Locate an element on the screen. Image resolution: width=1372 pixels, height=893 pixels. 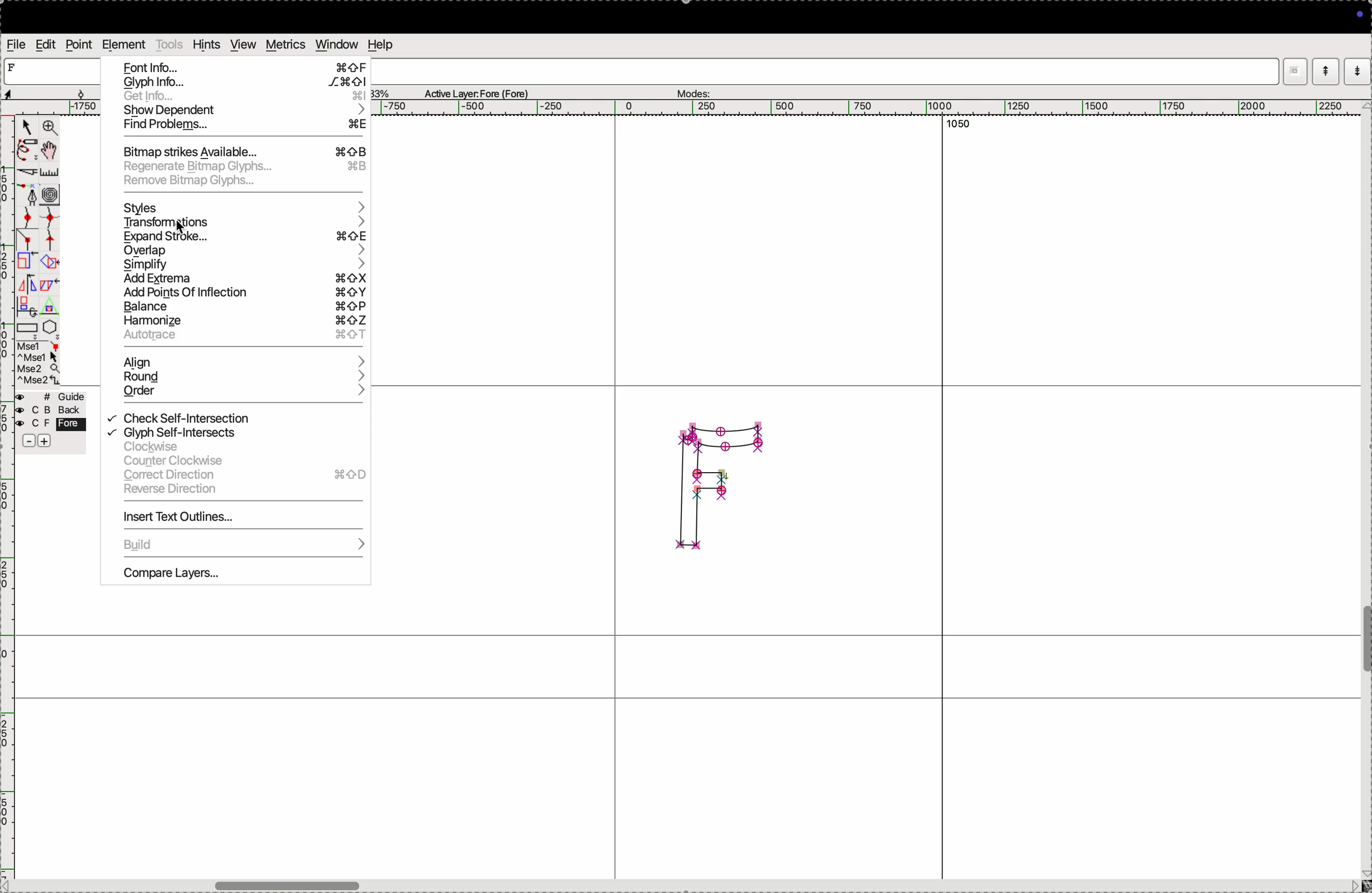
Get info is located at coordinates (240, 97).